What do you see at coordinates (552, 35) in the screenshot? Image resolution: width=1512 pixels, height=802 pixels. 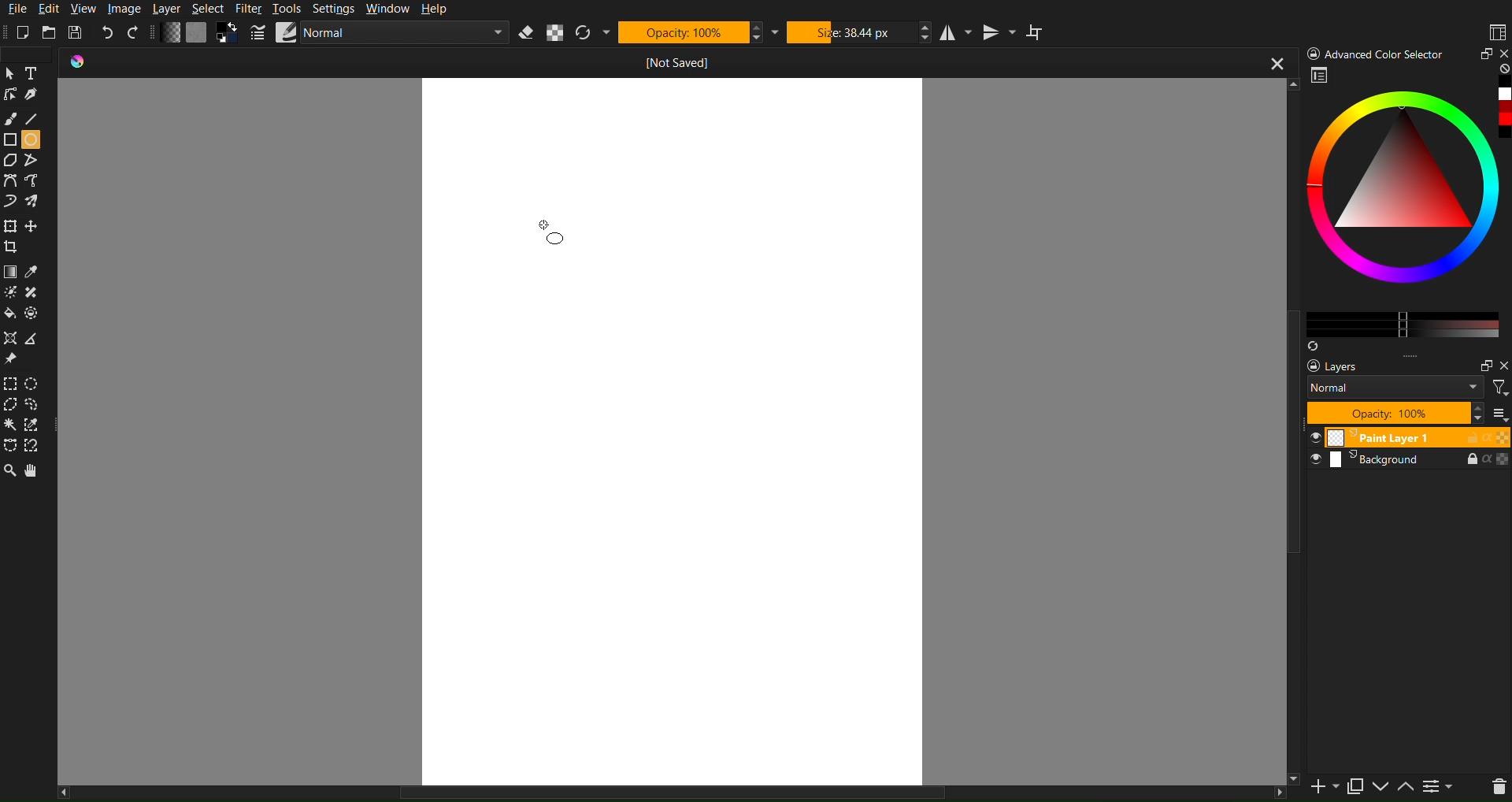 I see `Alpha` at bounding box center [552, 35].